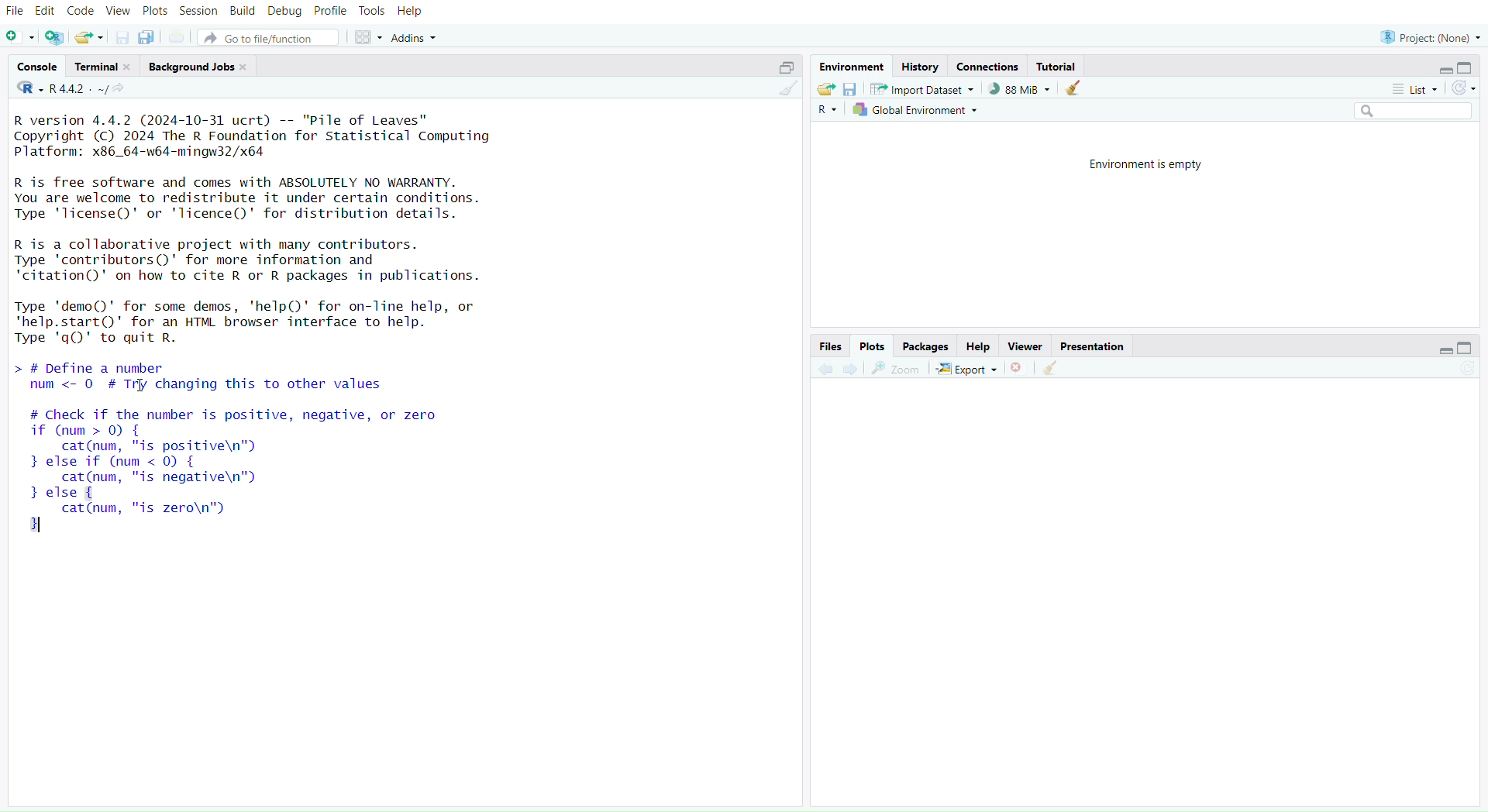  What do you see at coordinates (201, 67) in the screenshot?
I see `background jobs` at bounding box center [201, 67].